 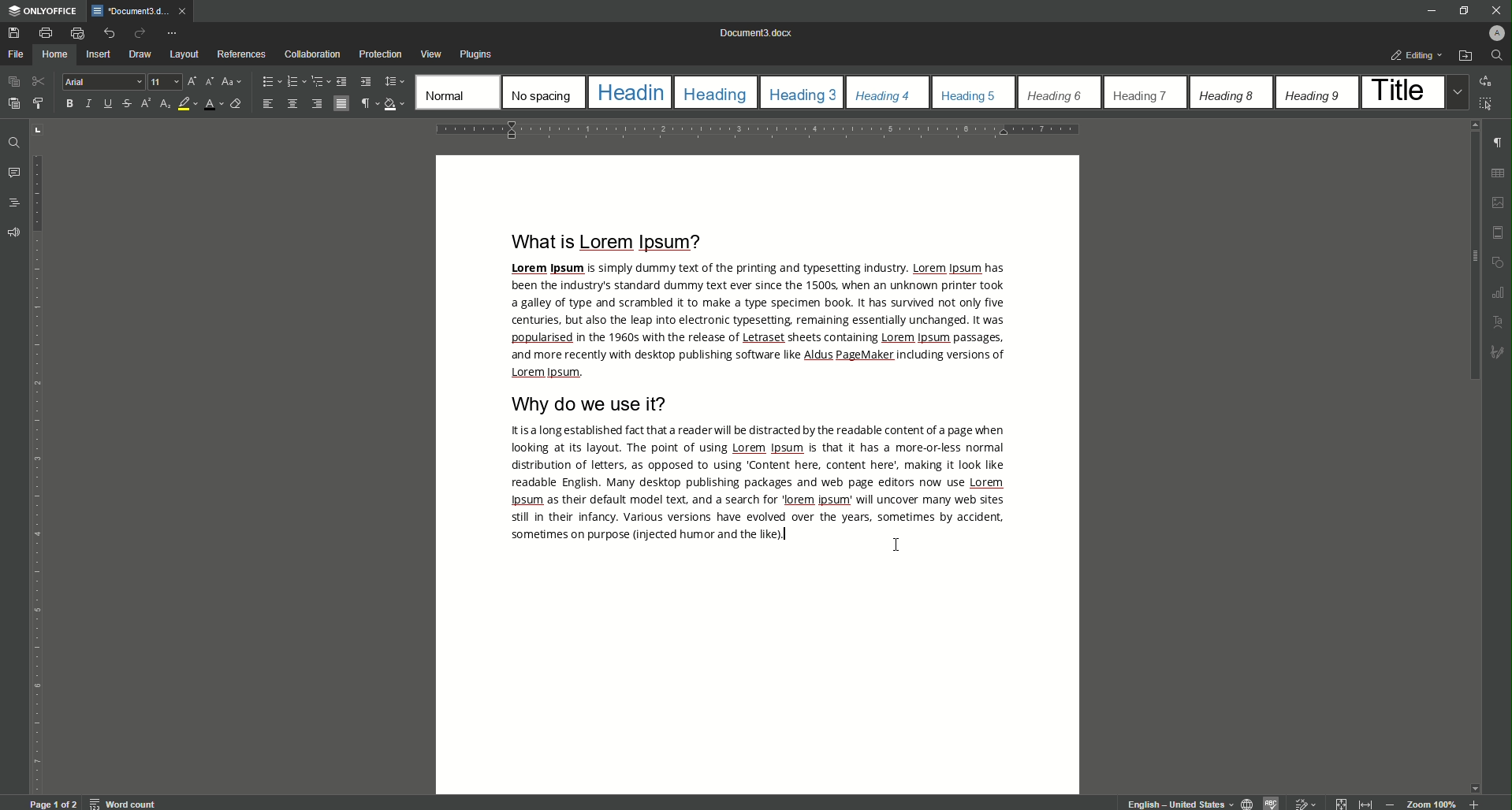 I want to click on Align Left, so click(x=268, y=105).